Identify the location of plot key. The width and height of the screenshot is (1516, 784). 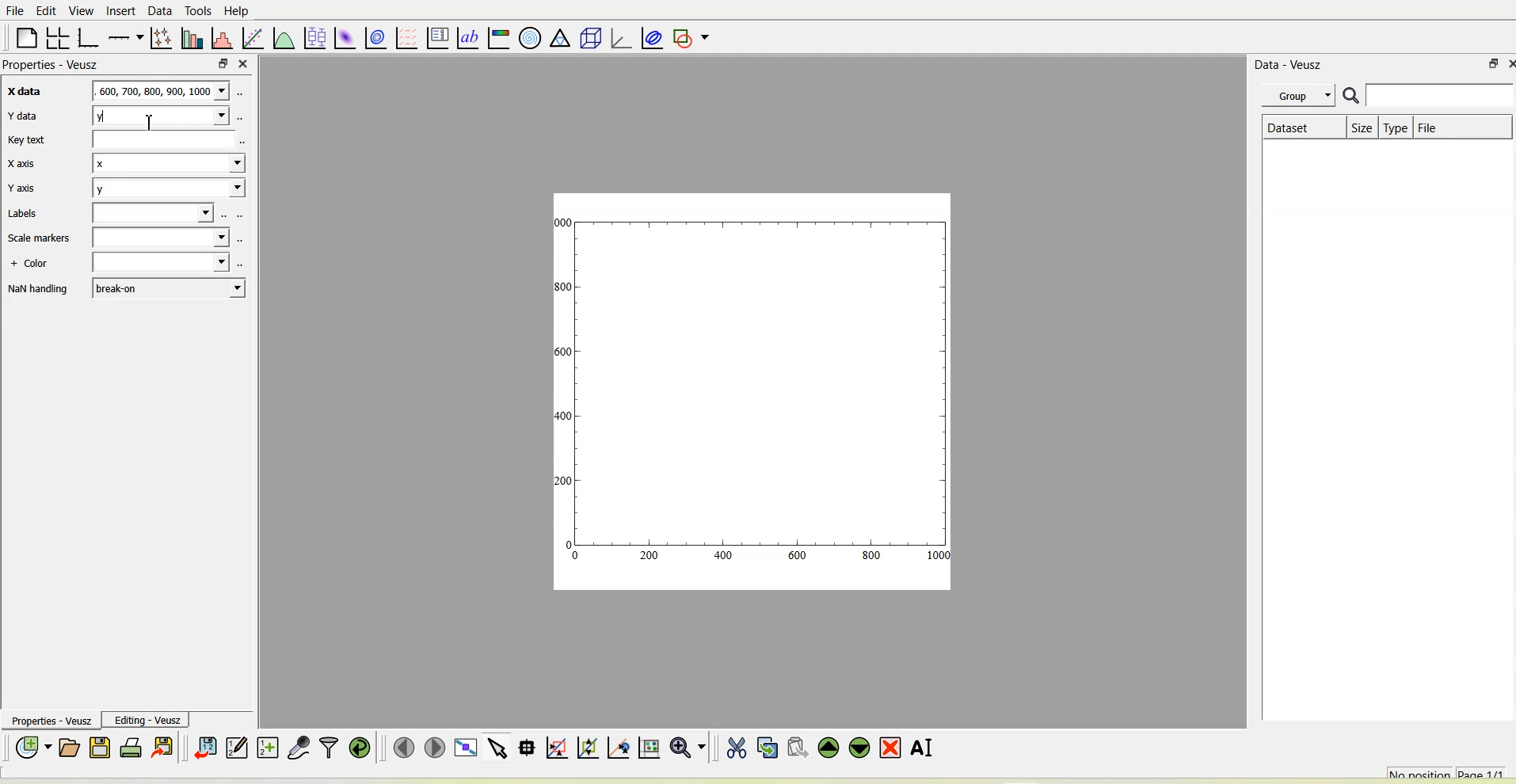
(436, 36).